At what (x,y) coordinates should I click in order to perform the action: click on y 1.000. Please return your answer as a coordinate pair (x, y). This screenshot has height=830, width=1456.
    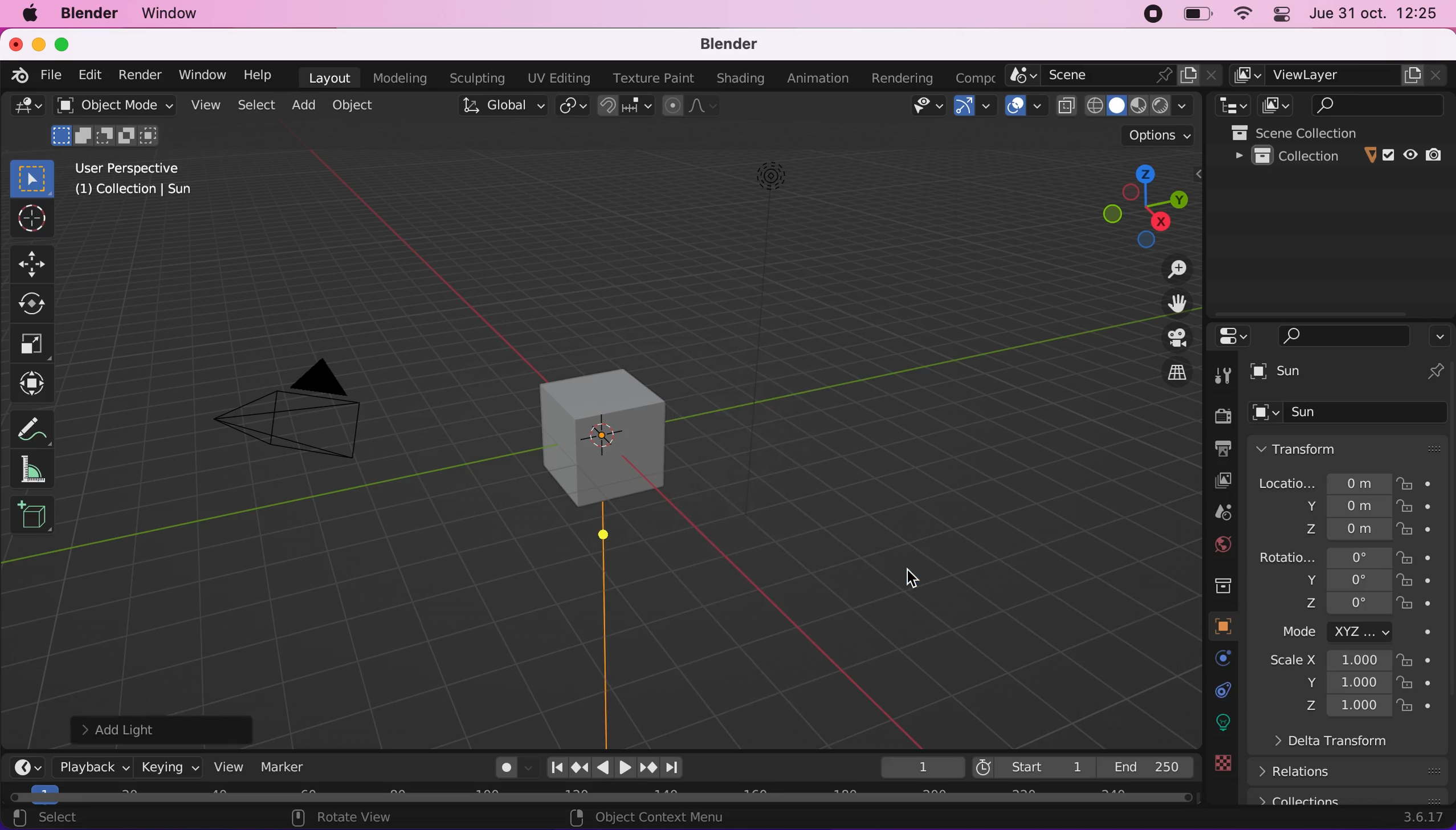
    Looking at the image, I should click on (1344, 684).